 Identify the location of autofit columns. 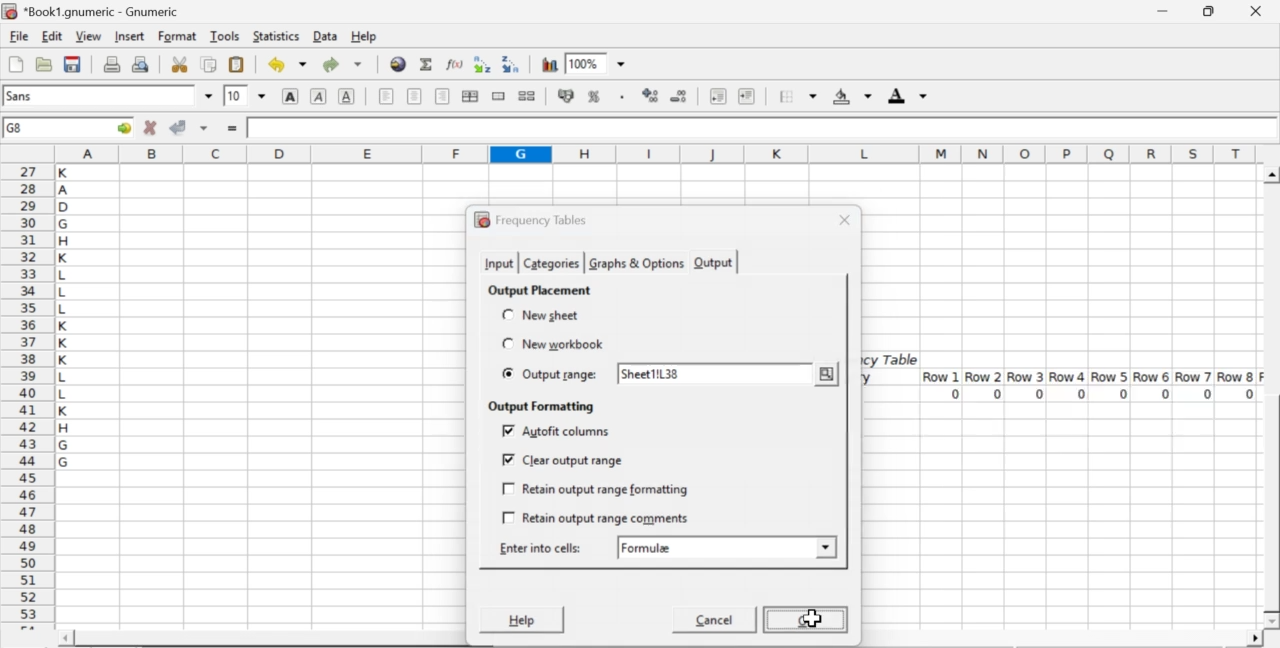
(558, 431).